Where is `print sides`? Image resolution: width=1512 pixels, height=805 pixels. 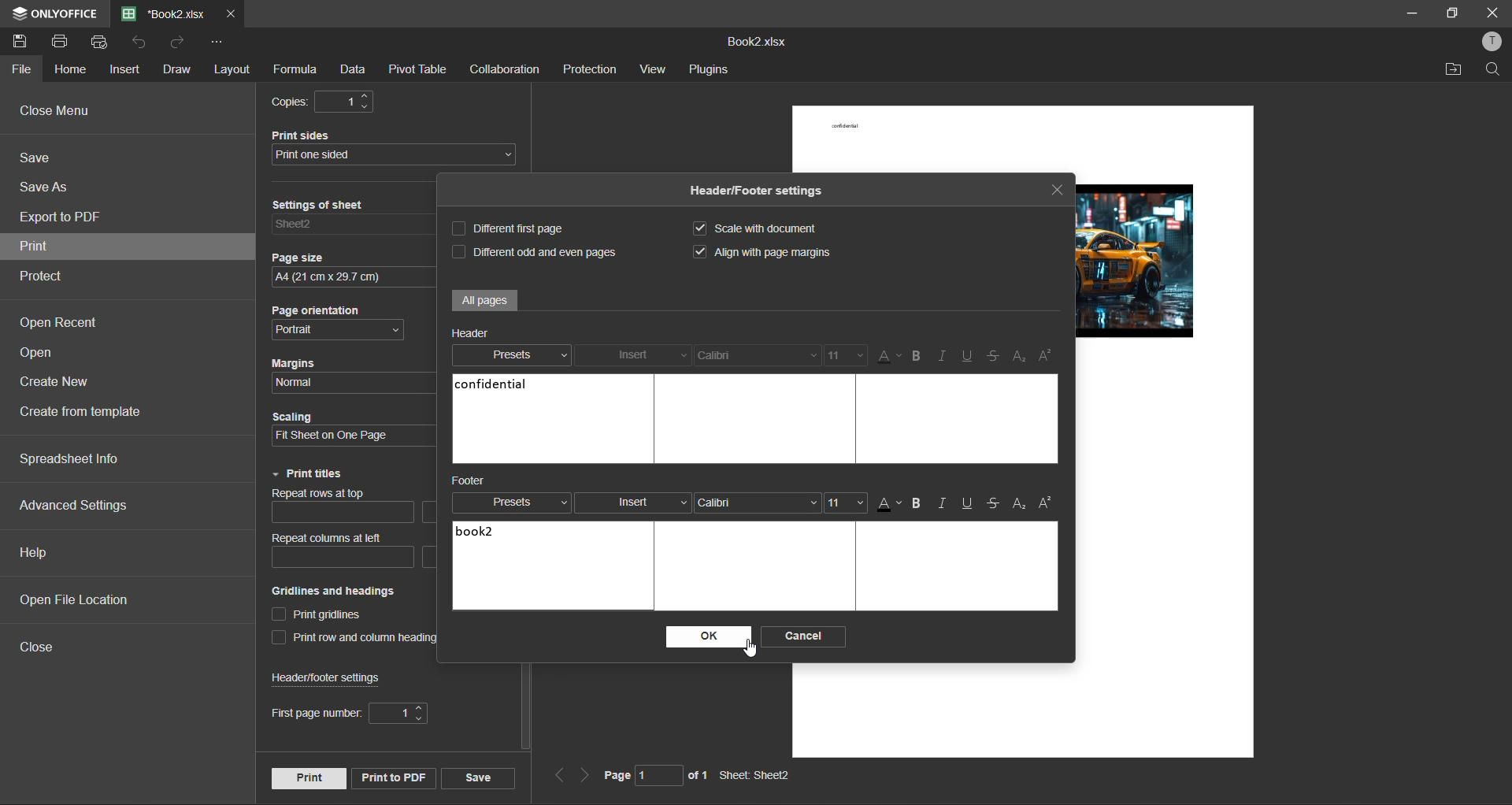
print sides is located at coordinates (396, 156).